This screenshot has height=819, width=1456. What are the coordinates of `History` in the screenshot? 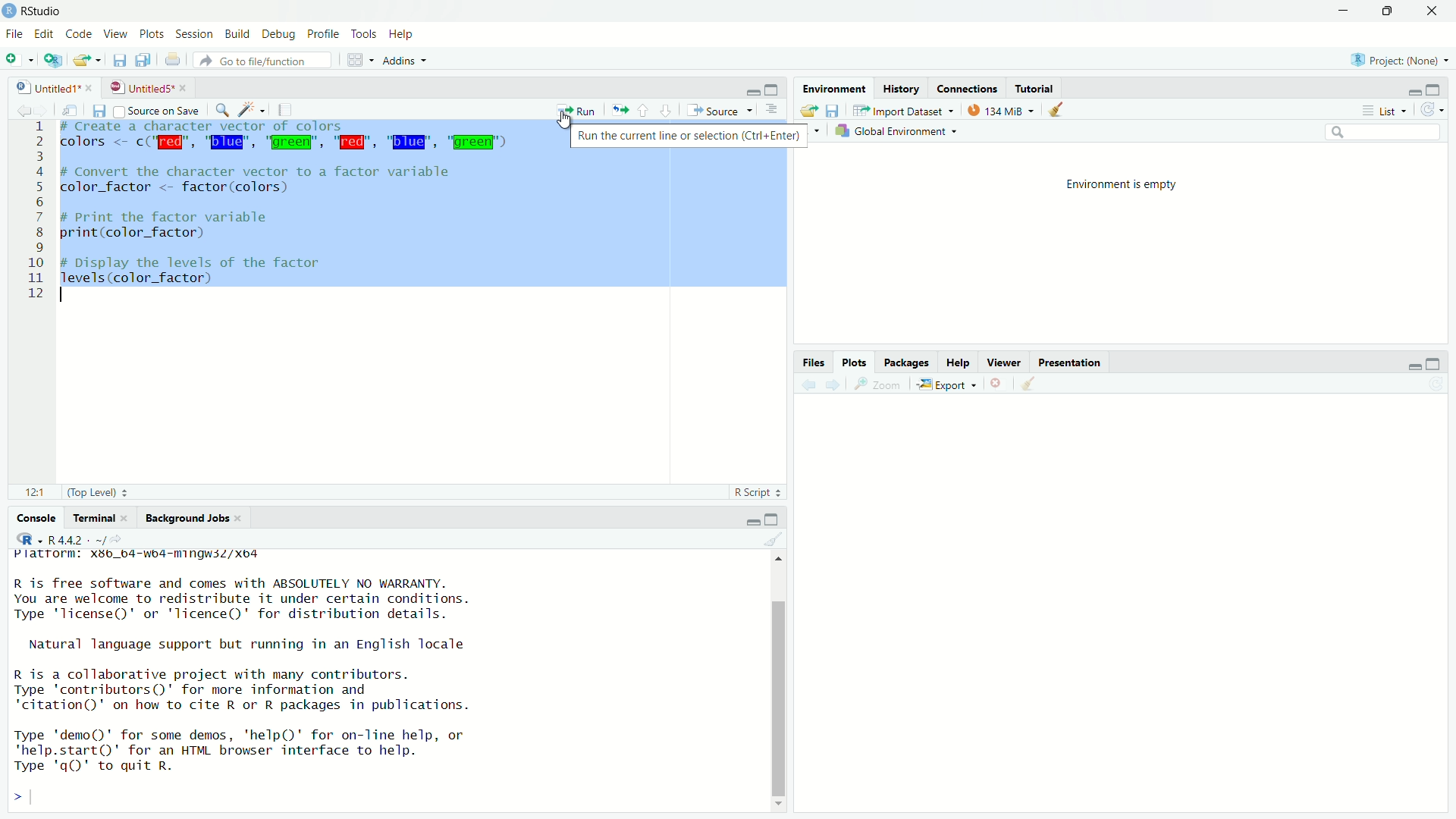 It's located at (900, 86).